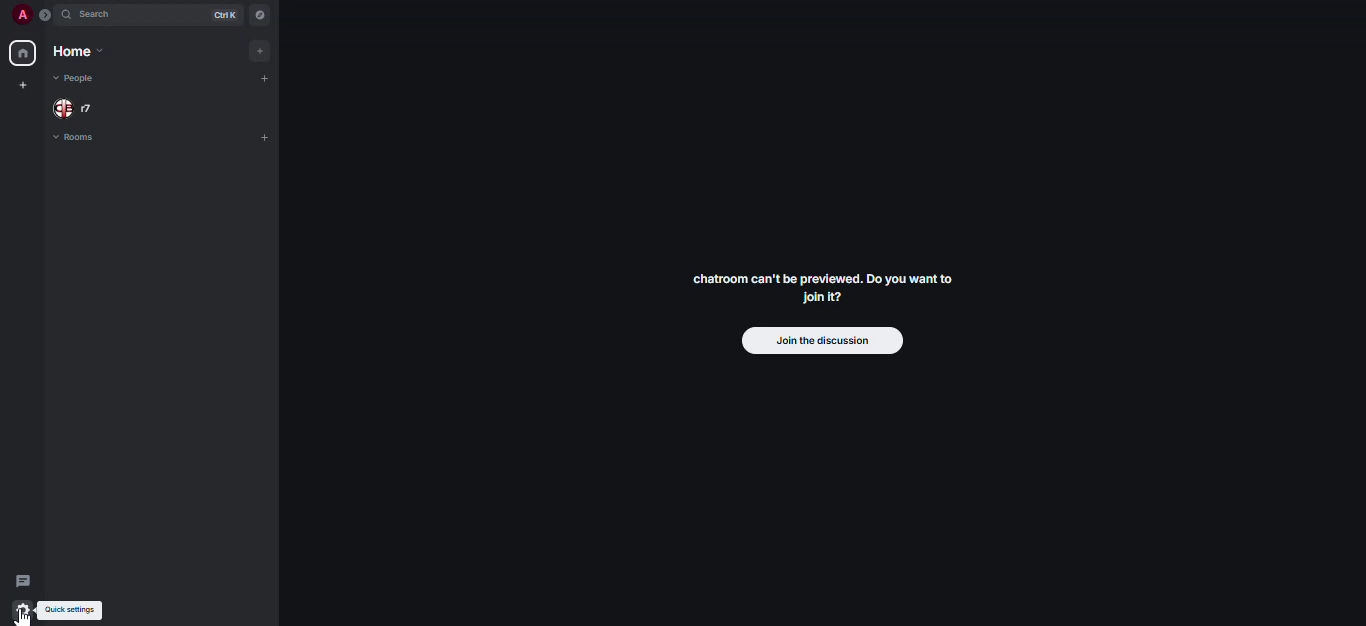  Describe the element at coordinates (81, 79) in the screenshot. I see `people` at that location.